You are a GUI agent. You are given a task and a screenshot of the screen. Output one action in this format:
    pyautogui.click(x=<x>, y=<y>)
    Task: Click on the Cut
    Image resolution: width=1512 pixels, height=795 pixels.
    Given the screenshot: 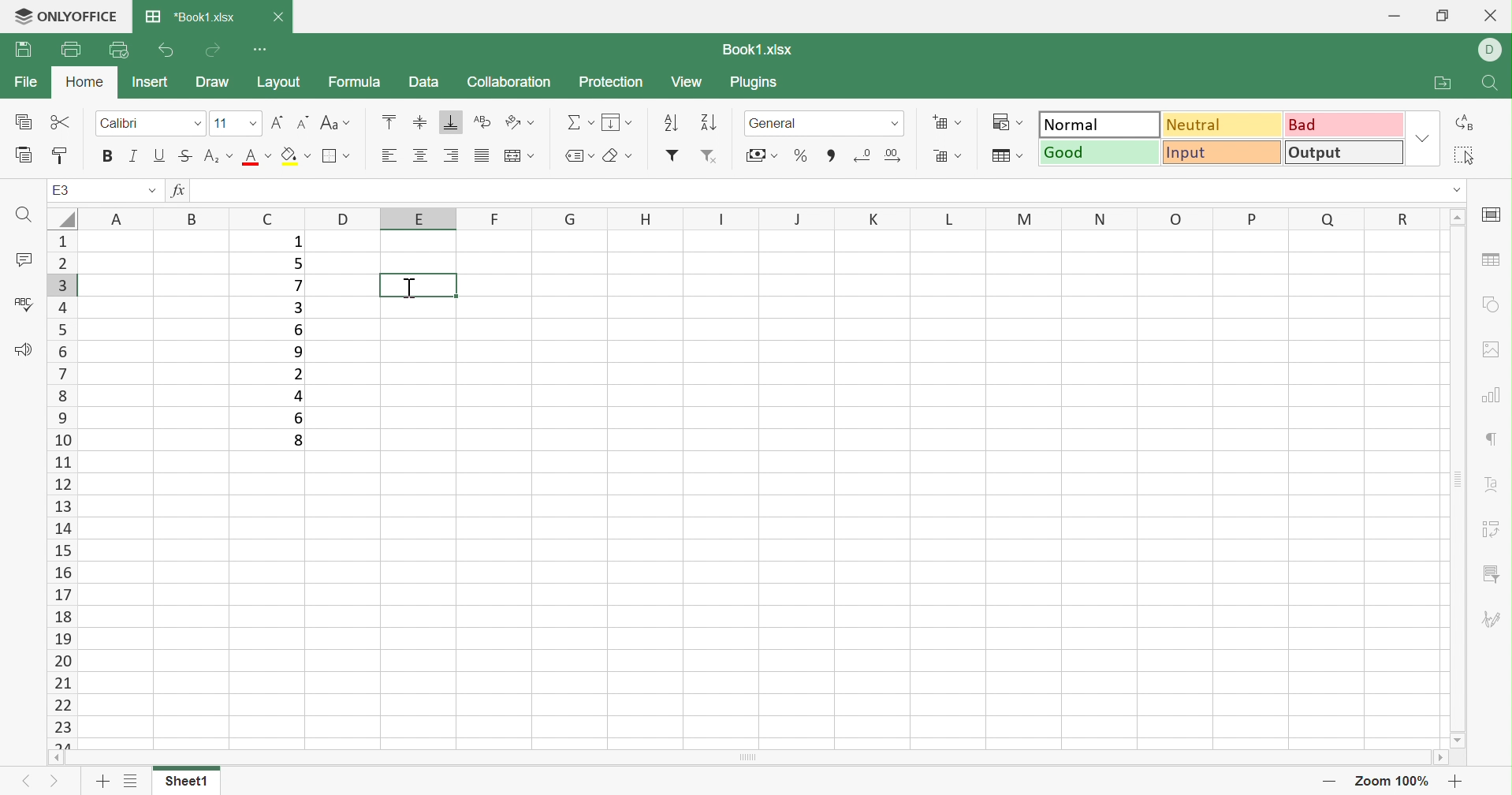 What is the action you would take?
    pyautogui.click(x=63, y=121)
    